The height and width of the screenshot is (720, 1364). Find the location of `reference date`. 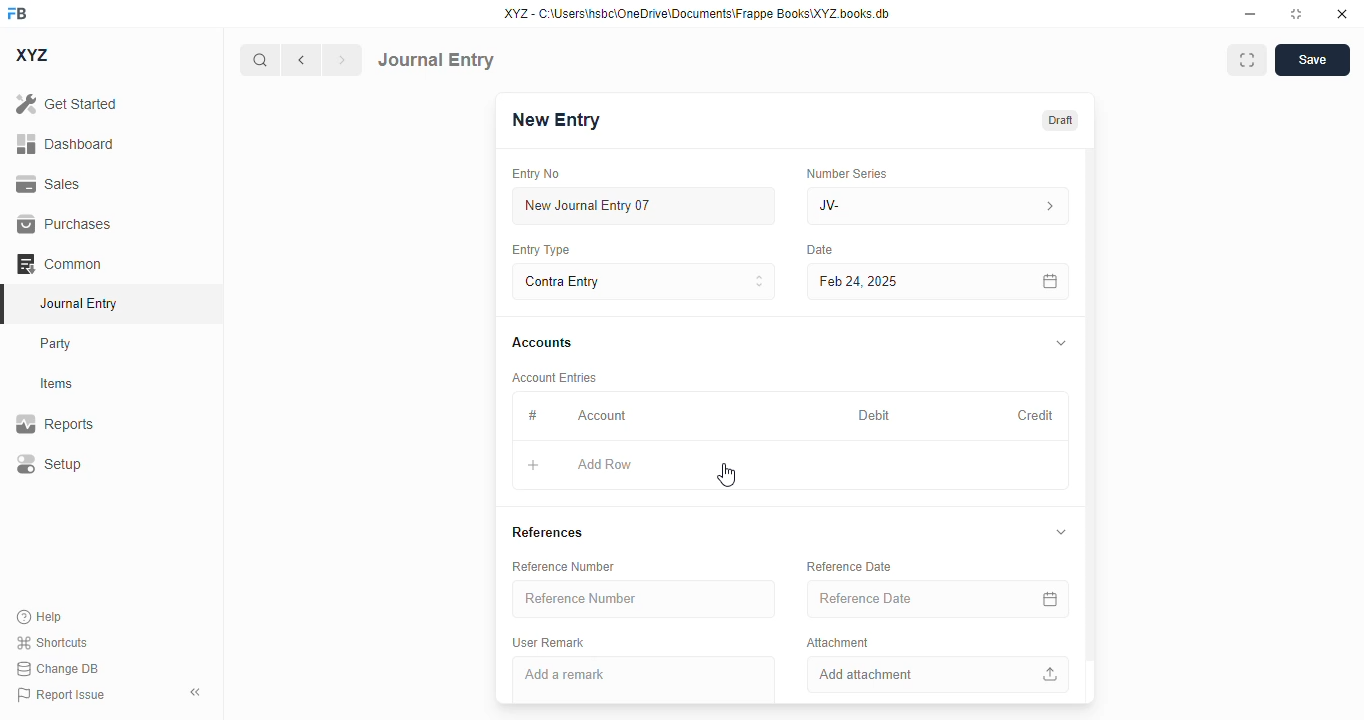

reference date is located at coordinates (897, 598).